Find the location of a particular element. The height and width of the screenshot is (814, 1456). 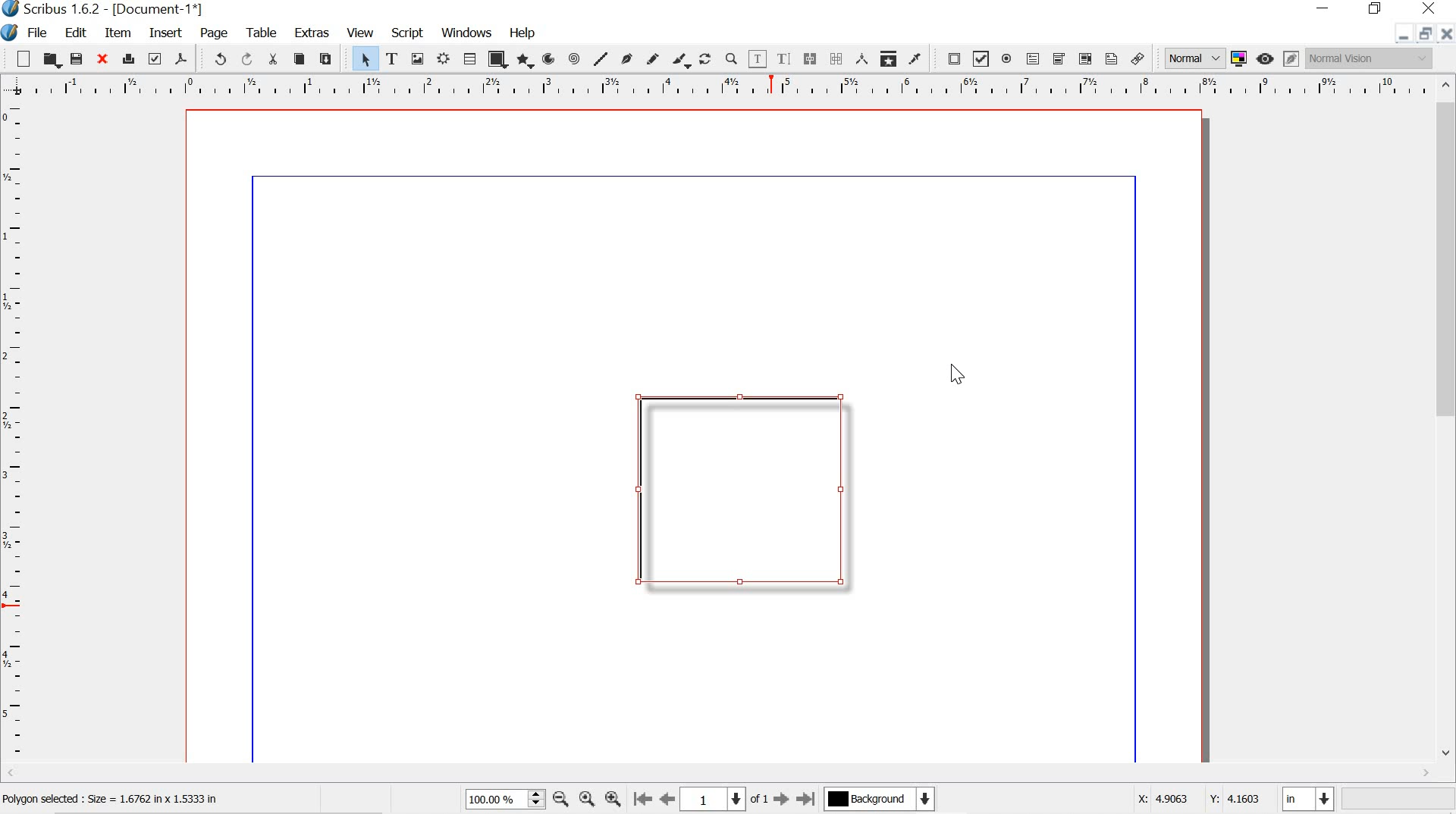

zoom in and out is located at coordinates (537, 799).